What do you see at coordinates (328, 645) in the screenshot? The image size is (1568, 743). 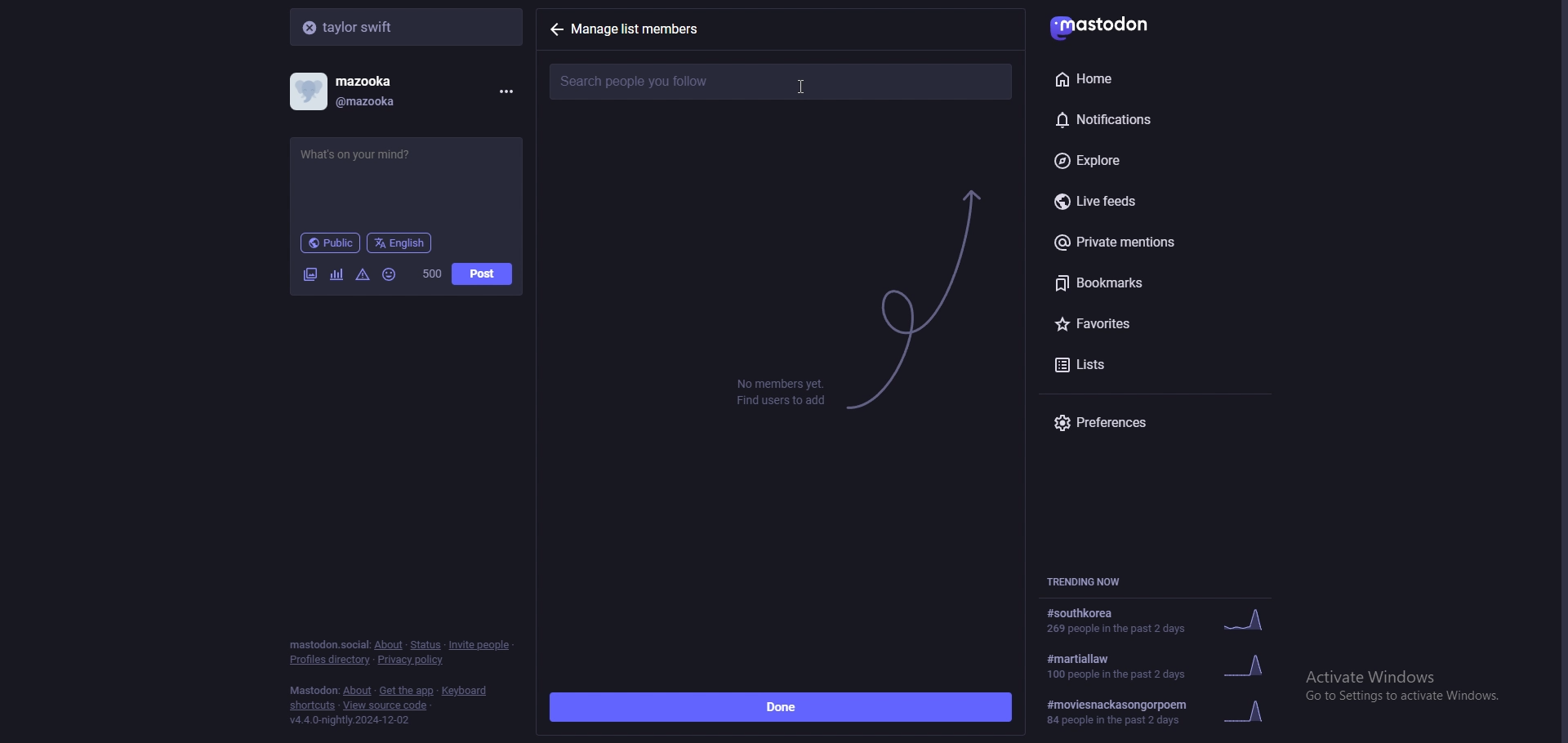 I see `mastodon social` at bounding box center [328, 645].